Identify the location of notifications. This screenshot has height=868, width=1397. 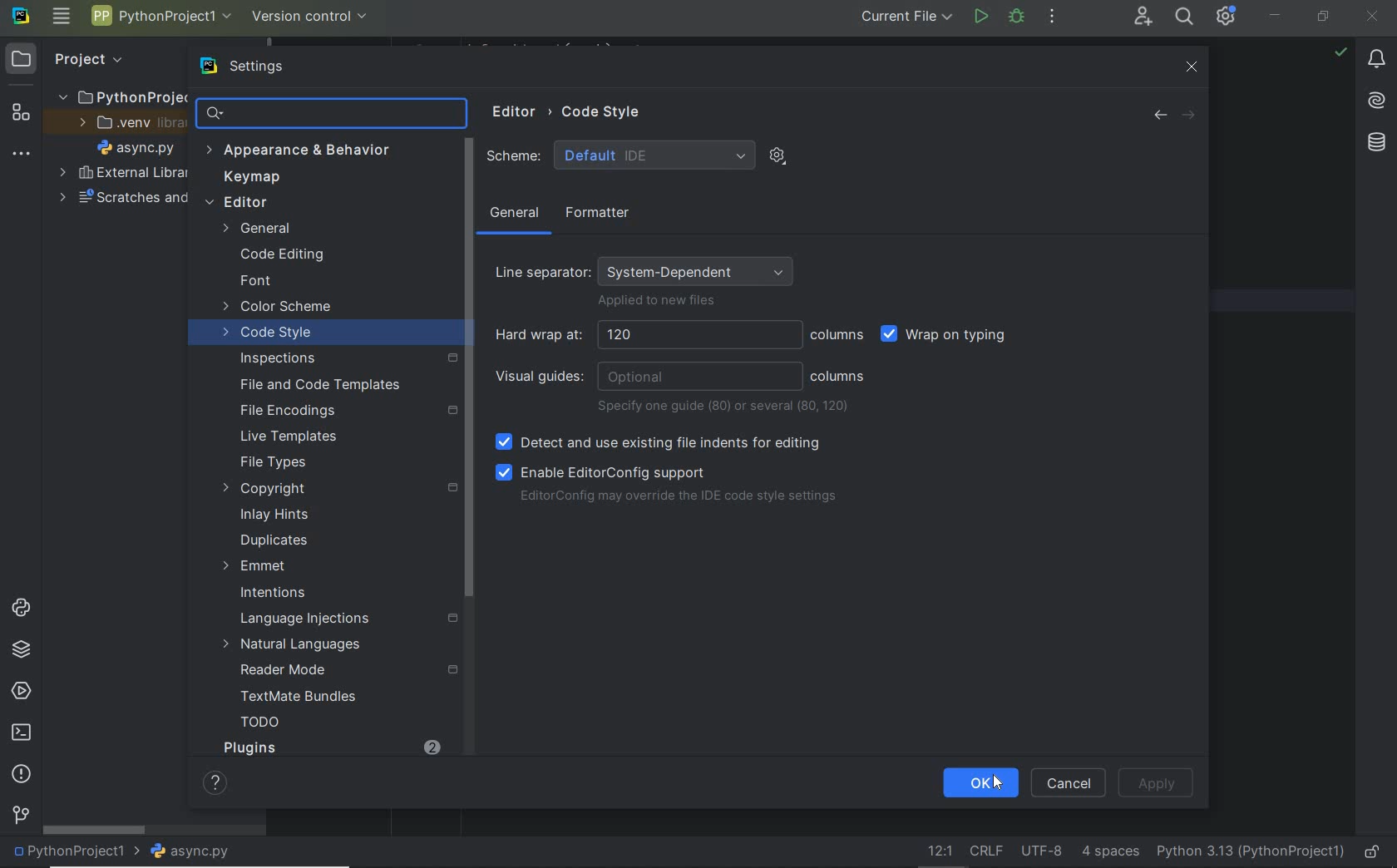
(1378, 62).